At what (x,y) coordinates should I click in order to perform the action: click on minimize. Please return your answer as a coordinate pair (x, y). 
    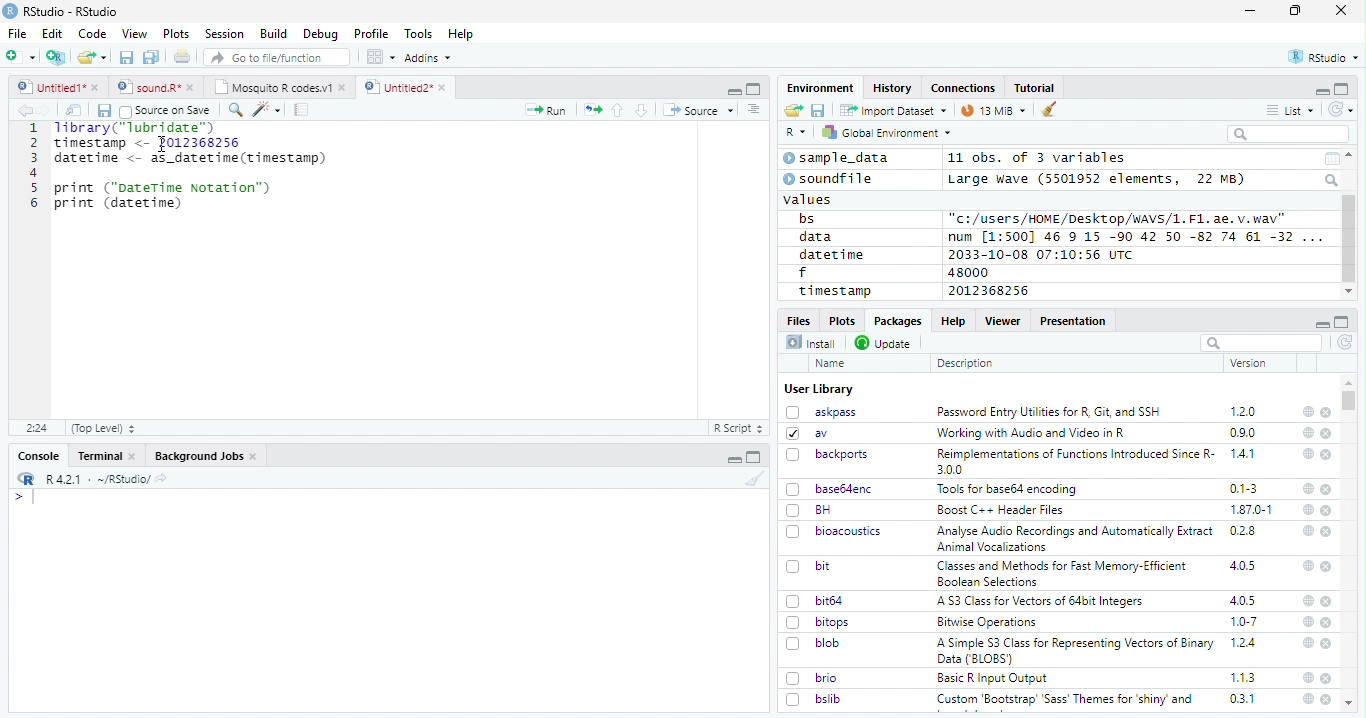
    Looking at the image, I should click on (736, 457).